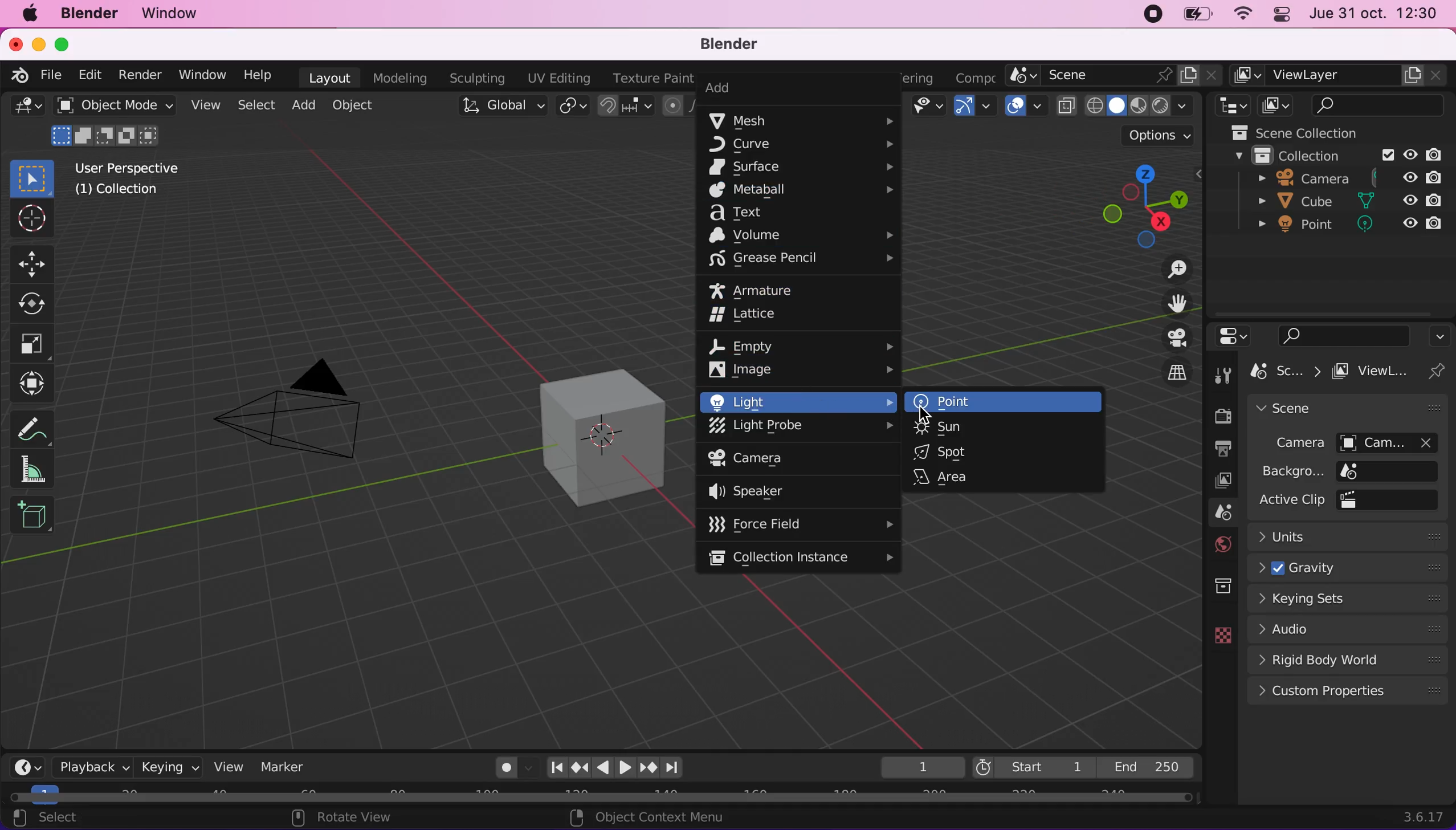  I want to click on panel control, so click(1284, 15).